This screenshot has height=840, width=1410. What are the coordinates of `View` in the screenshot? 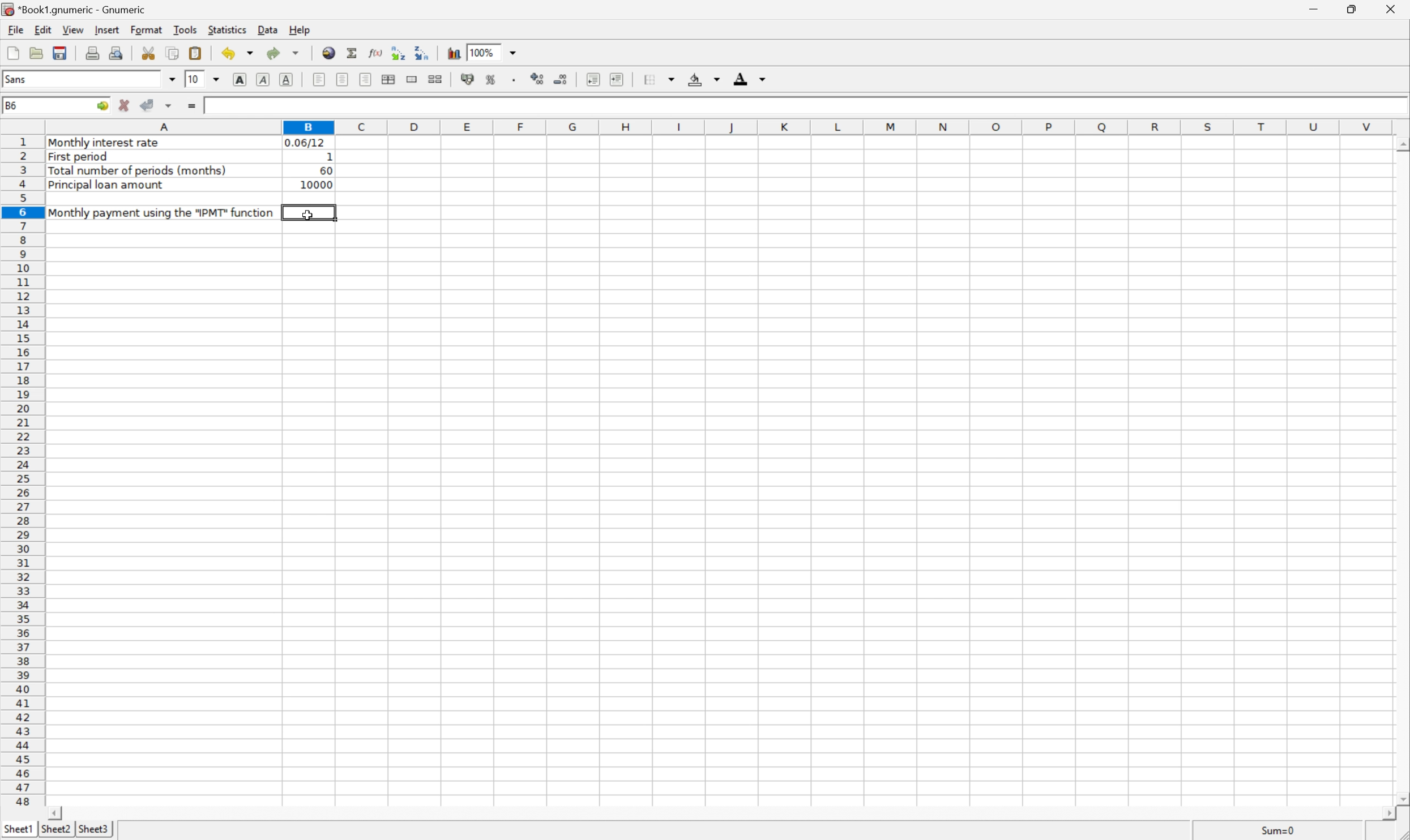 It's located at (71, 29).